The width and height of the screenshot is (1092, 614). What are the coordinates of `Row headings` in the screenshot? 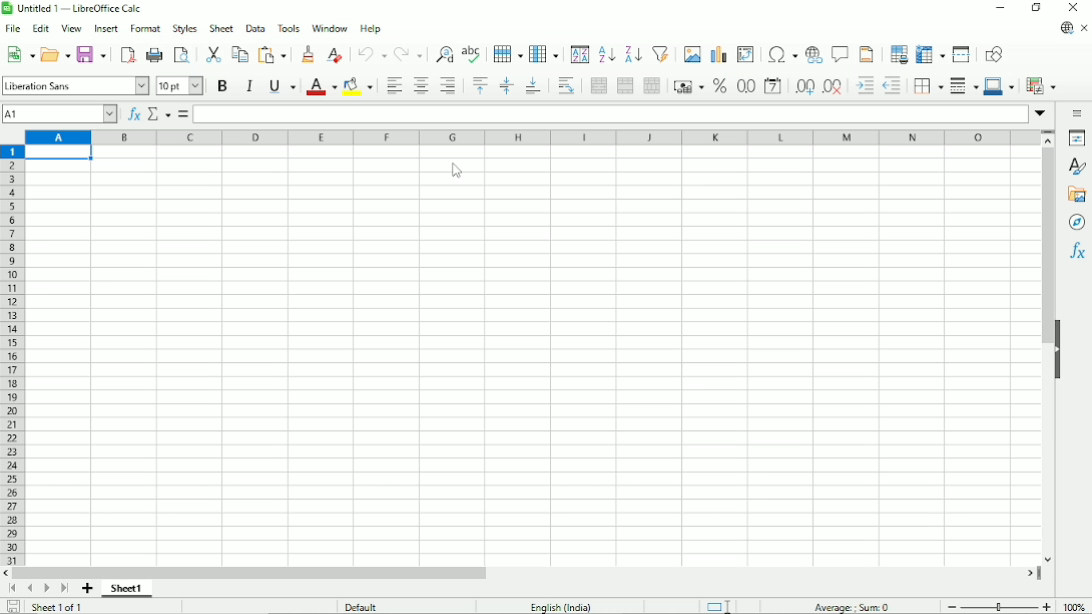 It's located at (14, 356).